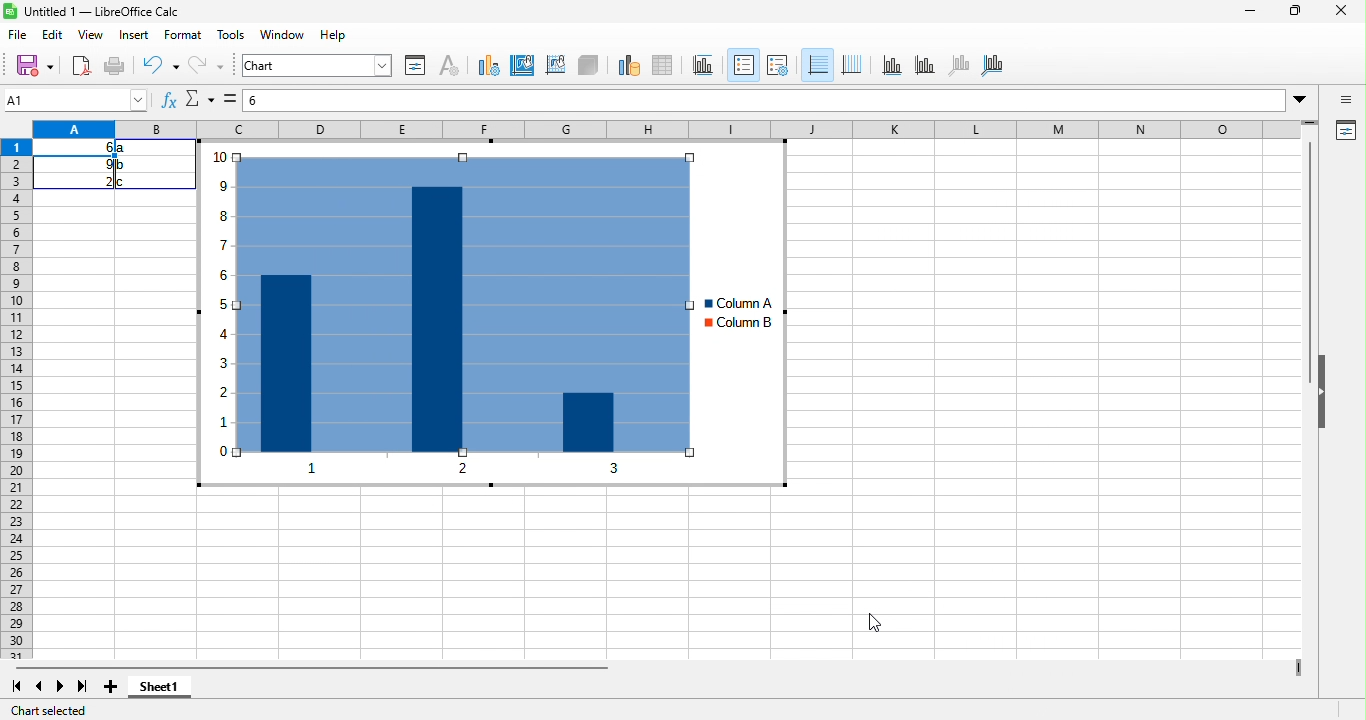 This screenshot has height=720, width=1366. What do you see at coordinates (1293, 663) in the screenshot?
I see `drag to view more columns` at bounding box center [1293, 663].